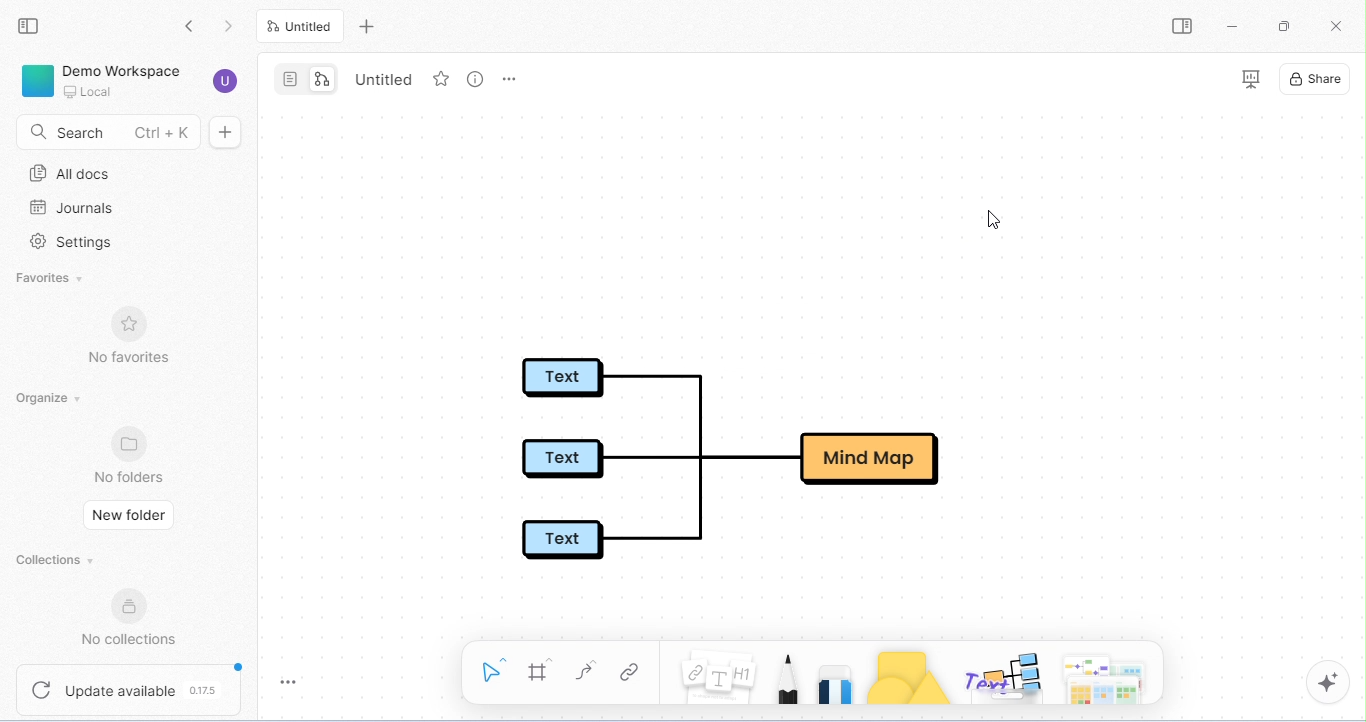  Describe the element at coordinates (995, 221) in the screenshot. I see `cursor` at that location.